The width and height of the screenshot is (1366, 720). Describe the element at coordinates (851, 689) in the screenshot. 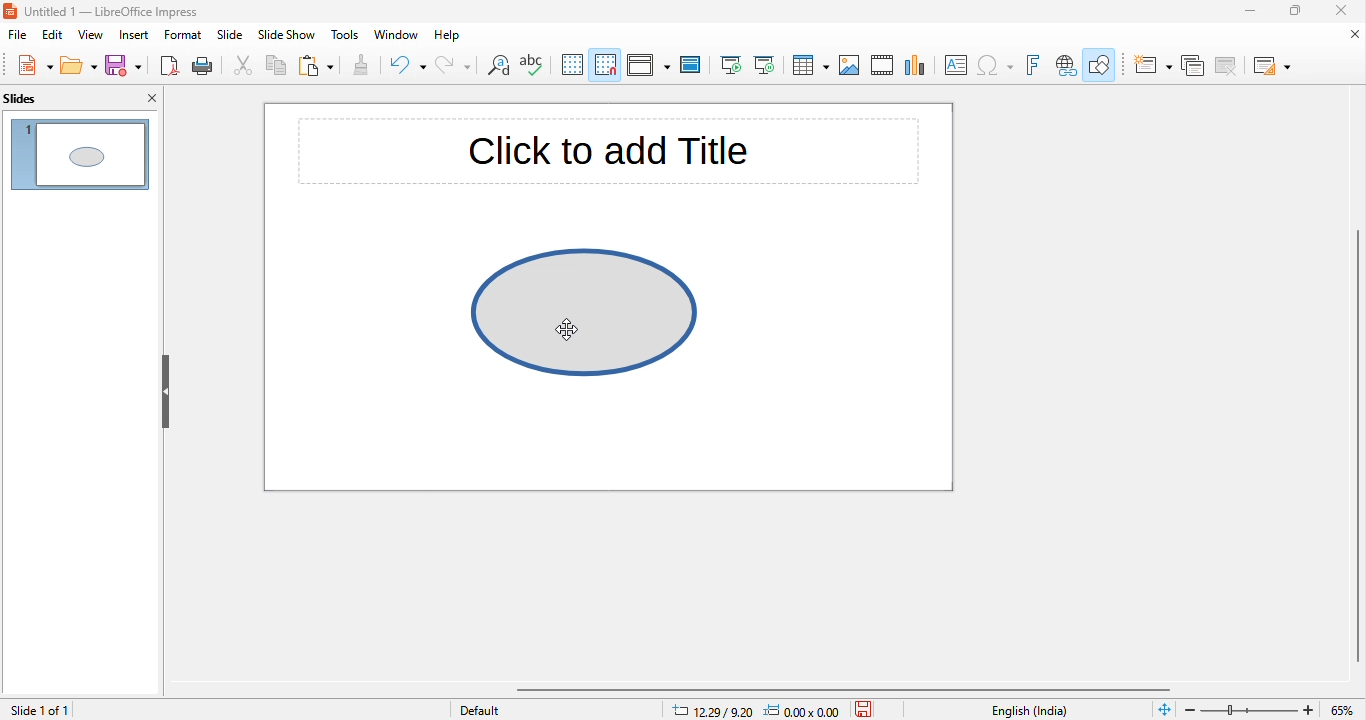

I see `horizontal scroll bar` at that location.